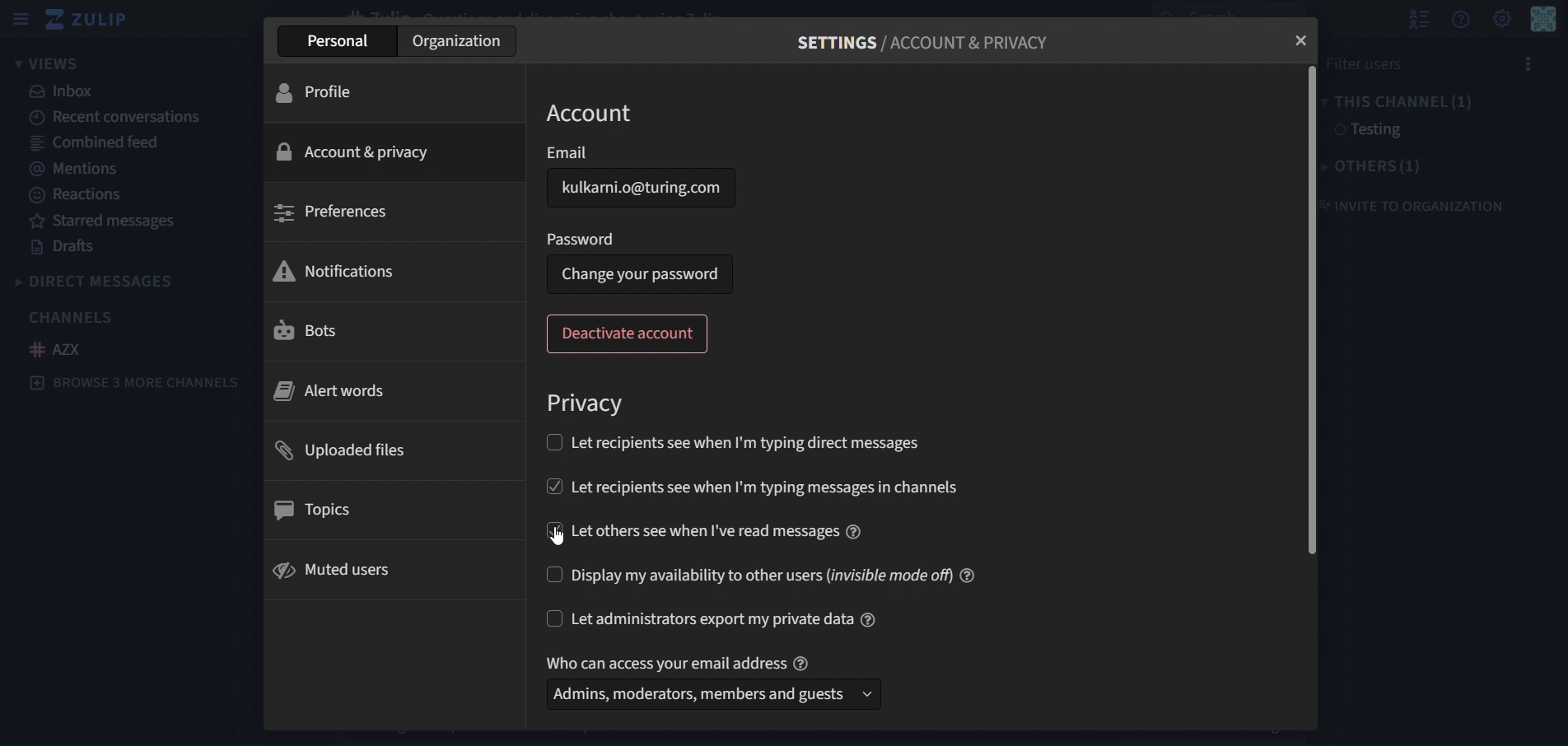 Image resolution: width=1568 pixels, height=746 pixels. Describe the element at coordinates (585, 237) in the screenshot. I see `password` at that location.